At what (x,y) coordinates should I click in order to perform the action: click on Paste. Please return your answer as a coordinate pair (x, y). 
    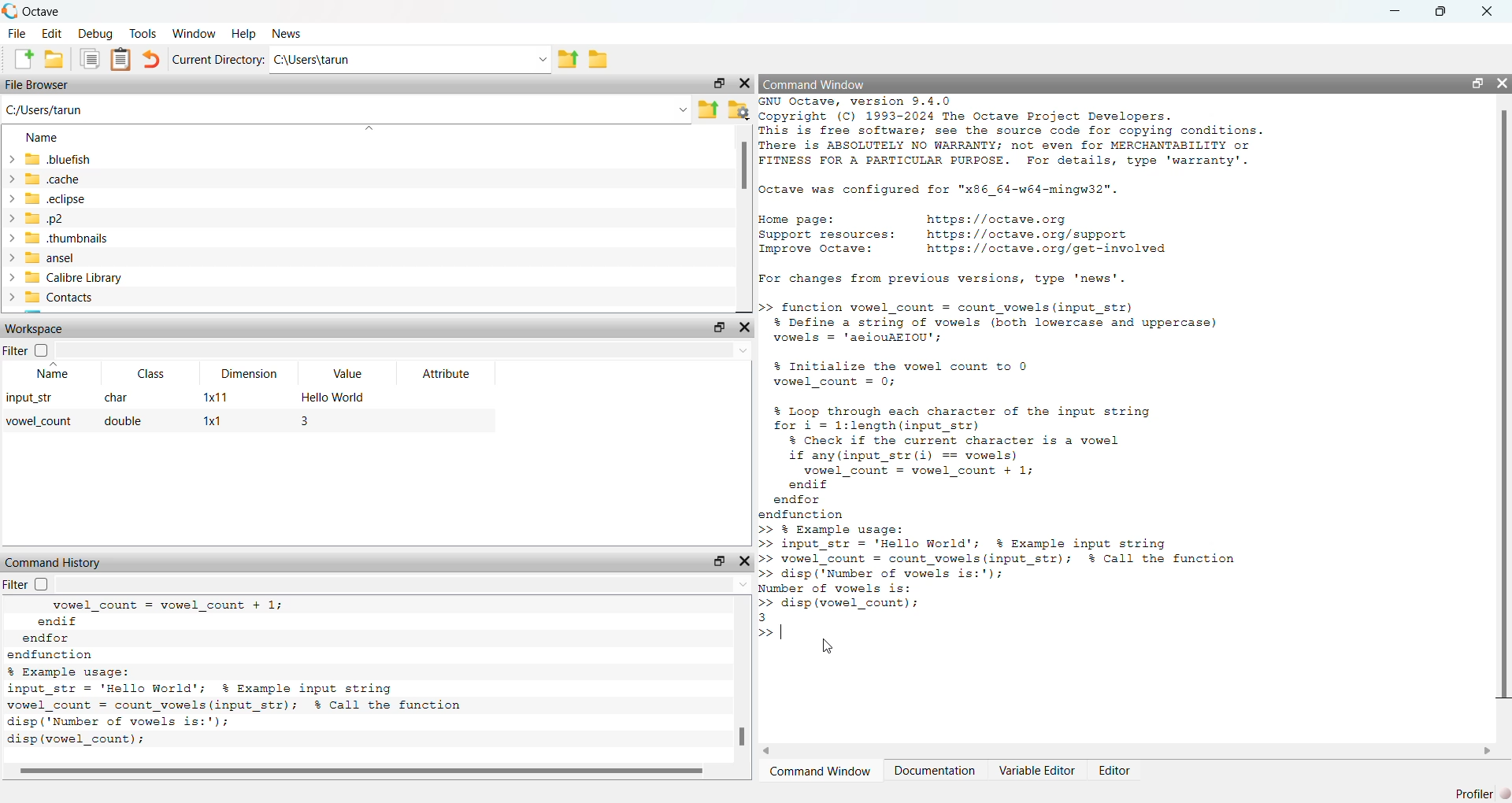
    Looking at the image, I should click on (120, 60).